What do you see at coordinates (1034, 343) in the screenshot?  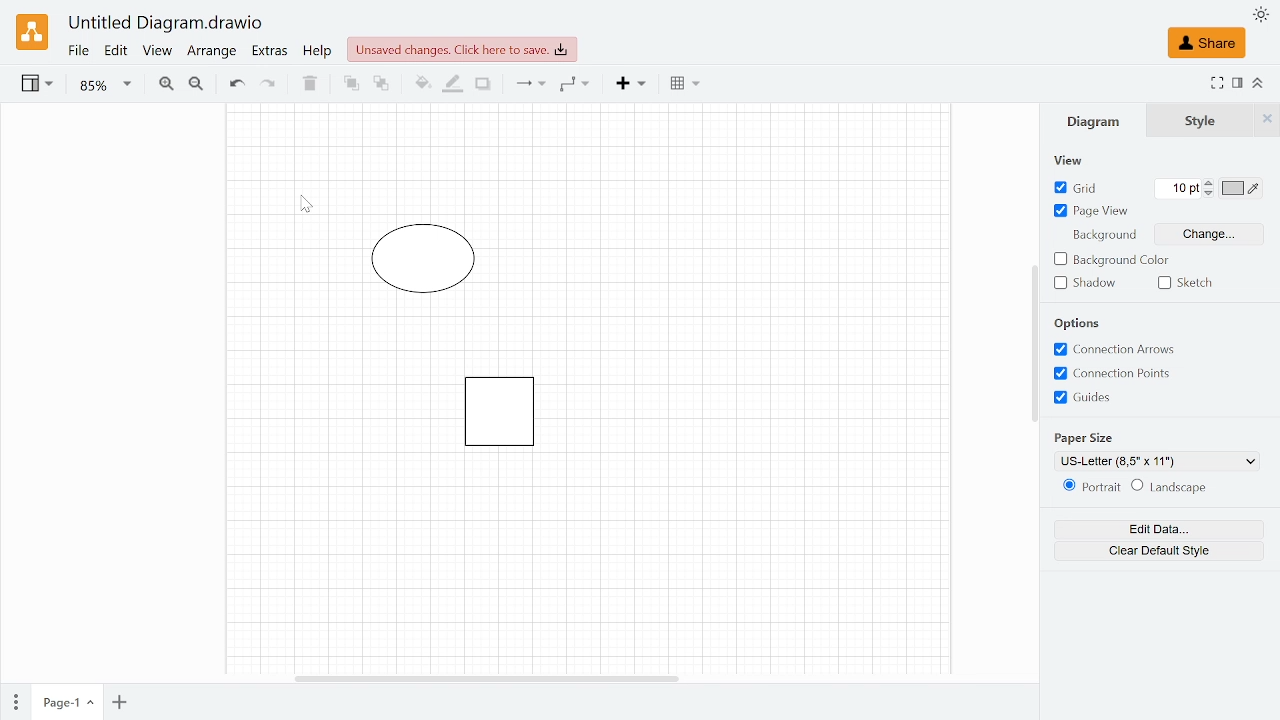 I see `Vertical scrollbar` at bounding box center [1034, 343].